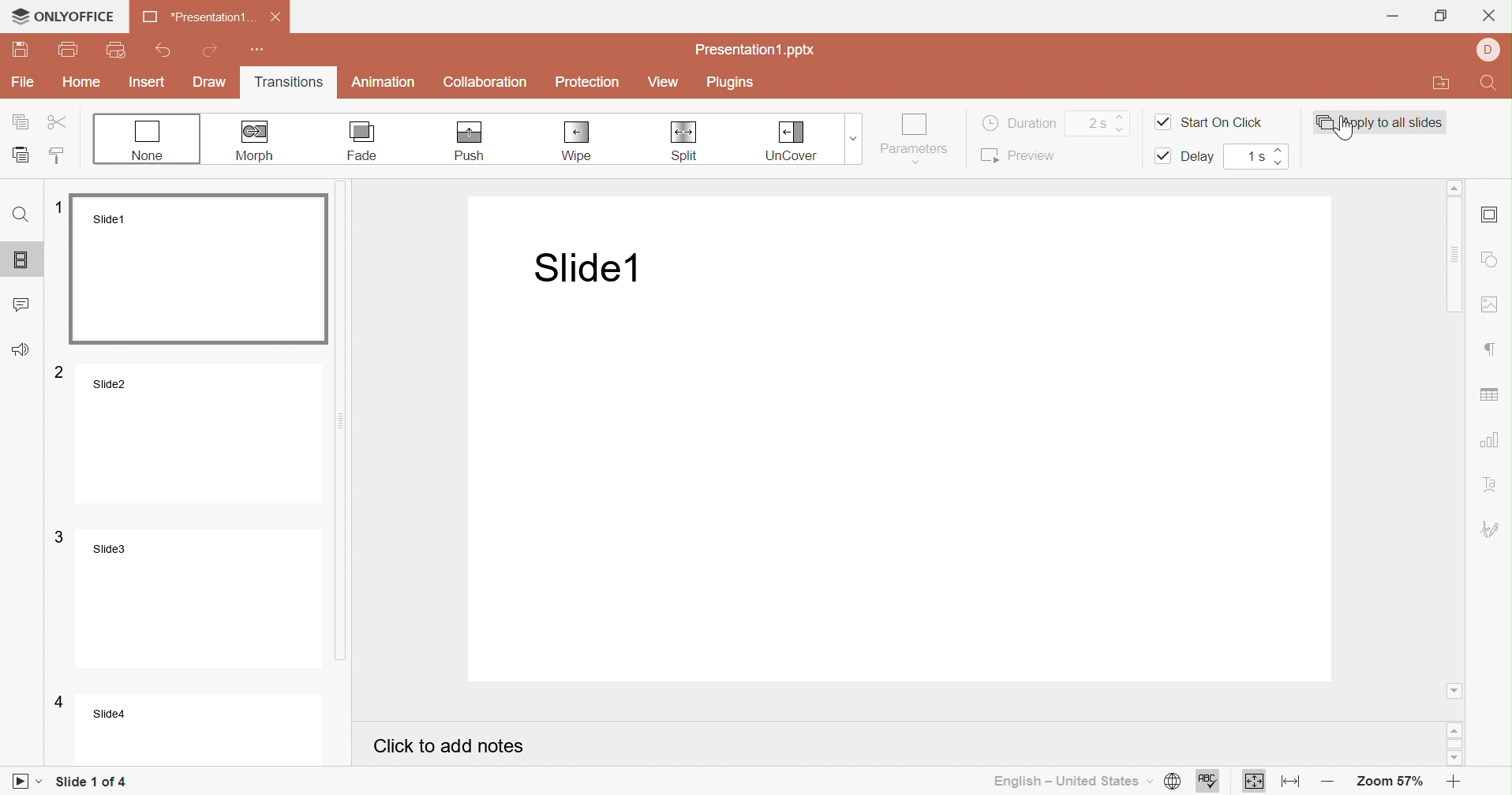 This screenshot has width=1512, height=795. I want to click on Find, so click(1491, 85).